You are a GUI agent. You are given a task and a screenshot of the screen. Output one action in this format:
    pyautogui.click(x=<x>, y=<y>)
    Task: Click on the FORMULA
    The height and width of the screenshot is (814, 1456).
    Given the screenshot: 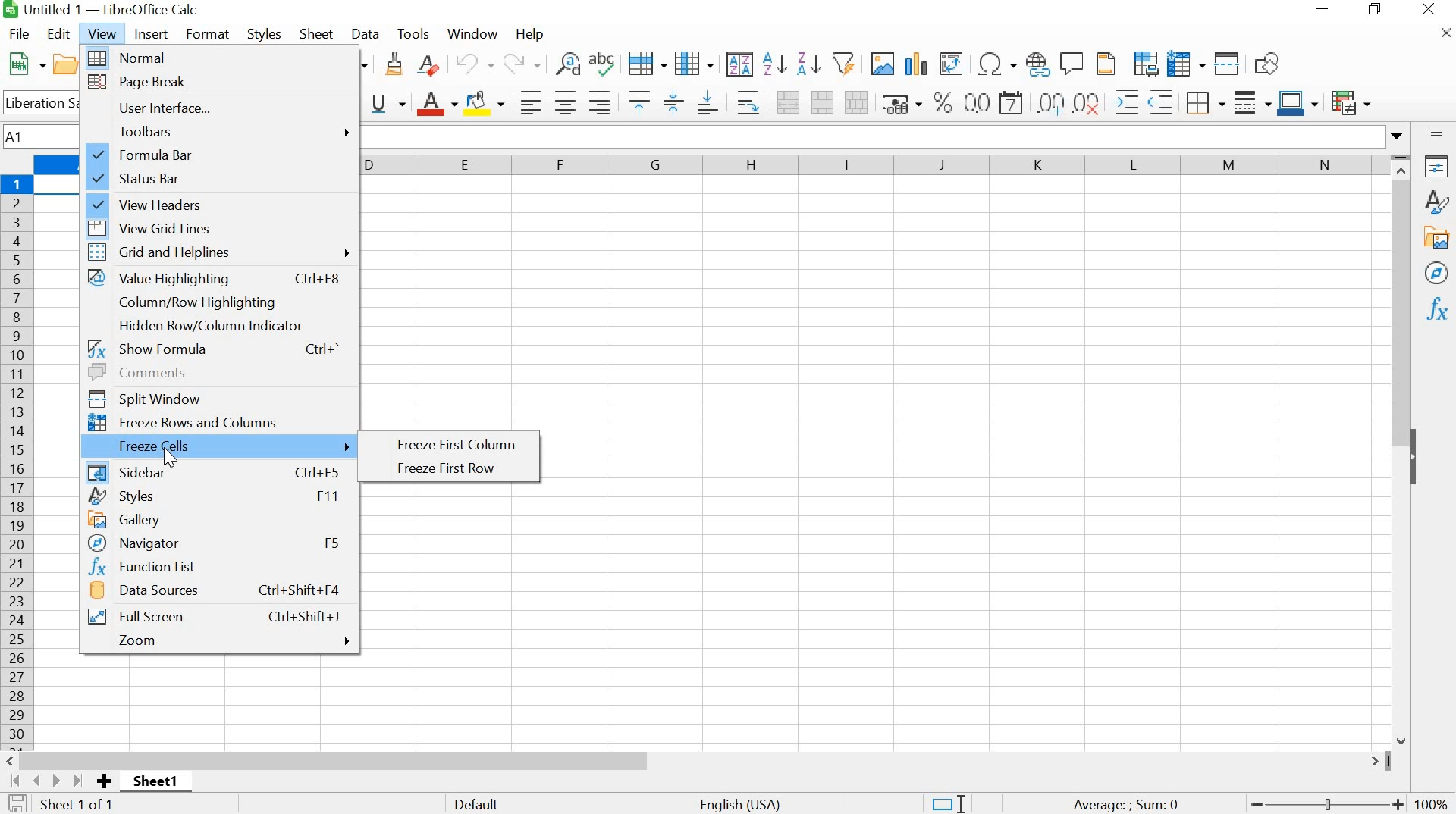 What is the action you would take?
    pyautogui.click(x=1127, y=805)
    